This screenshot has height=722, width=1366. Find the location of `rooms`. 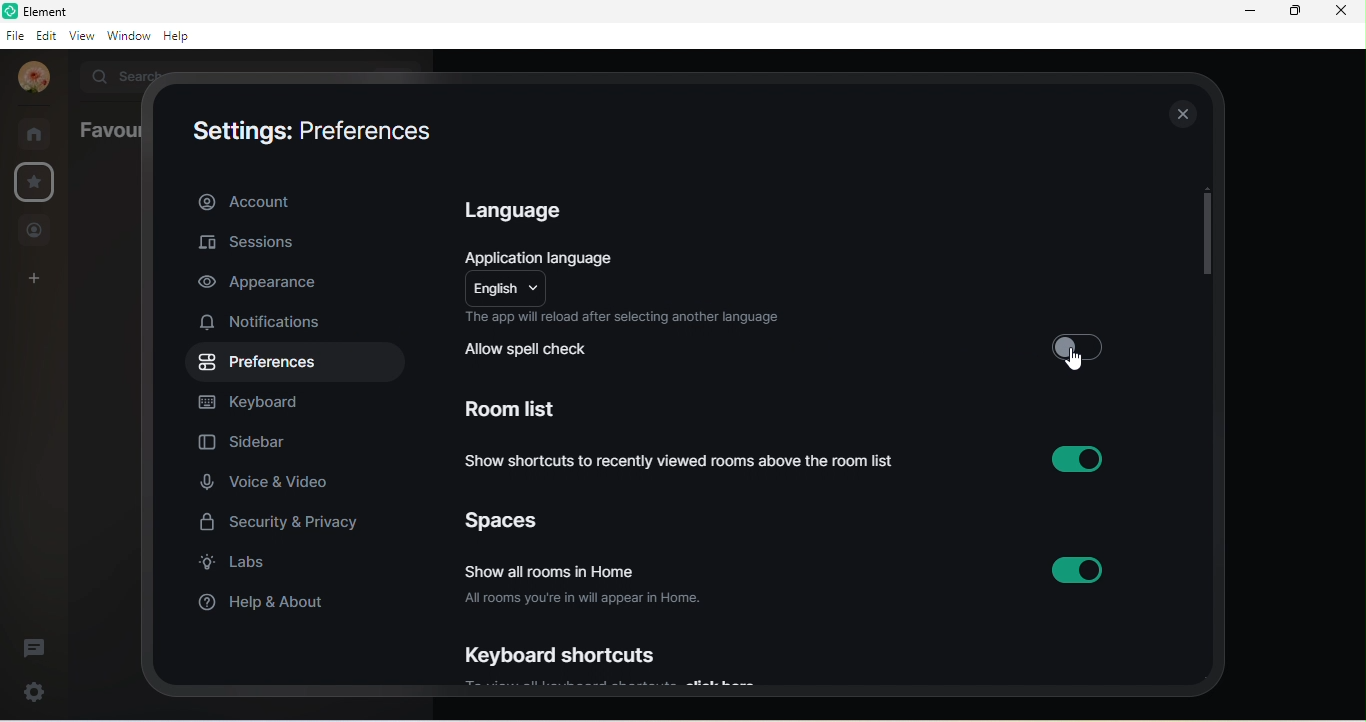

rooms is located at coordinates (35, 133).